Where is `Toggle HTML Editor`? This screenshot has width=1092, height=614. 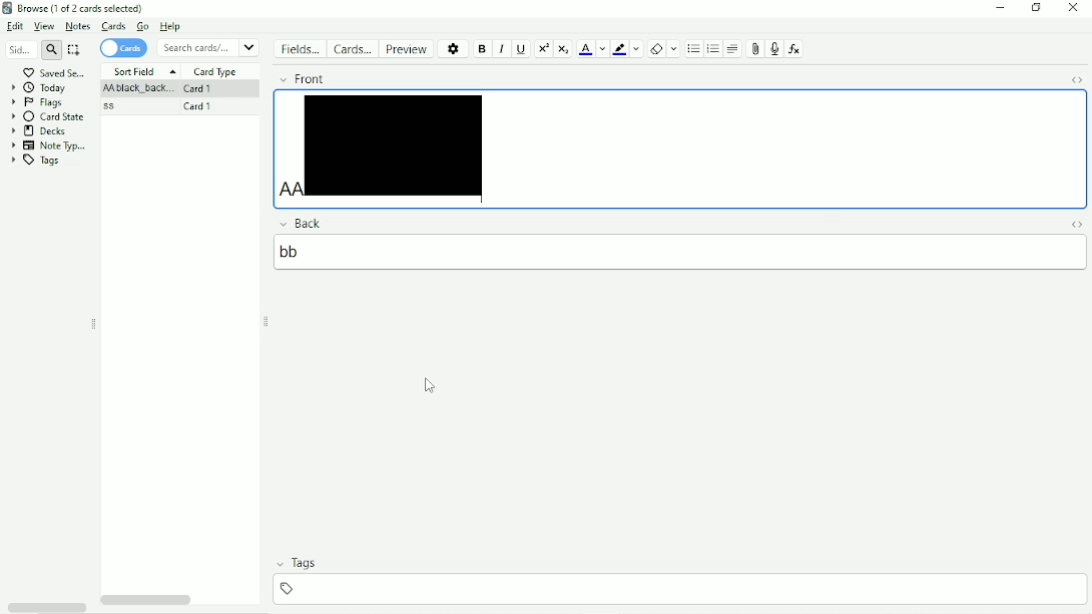
Toggle HTML Editor is located at coordinates (46, 607).